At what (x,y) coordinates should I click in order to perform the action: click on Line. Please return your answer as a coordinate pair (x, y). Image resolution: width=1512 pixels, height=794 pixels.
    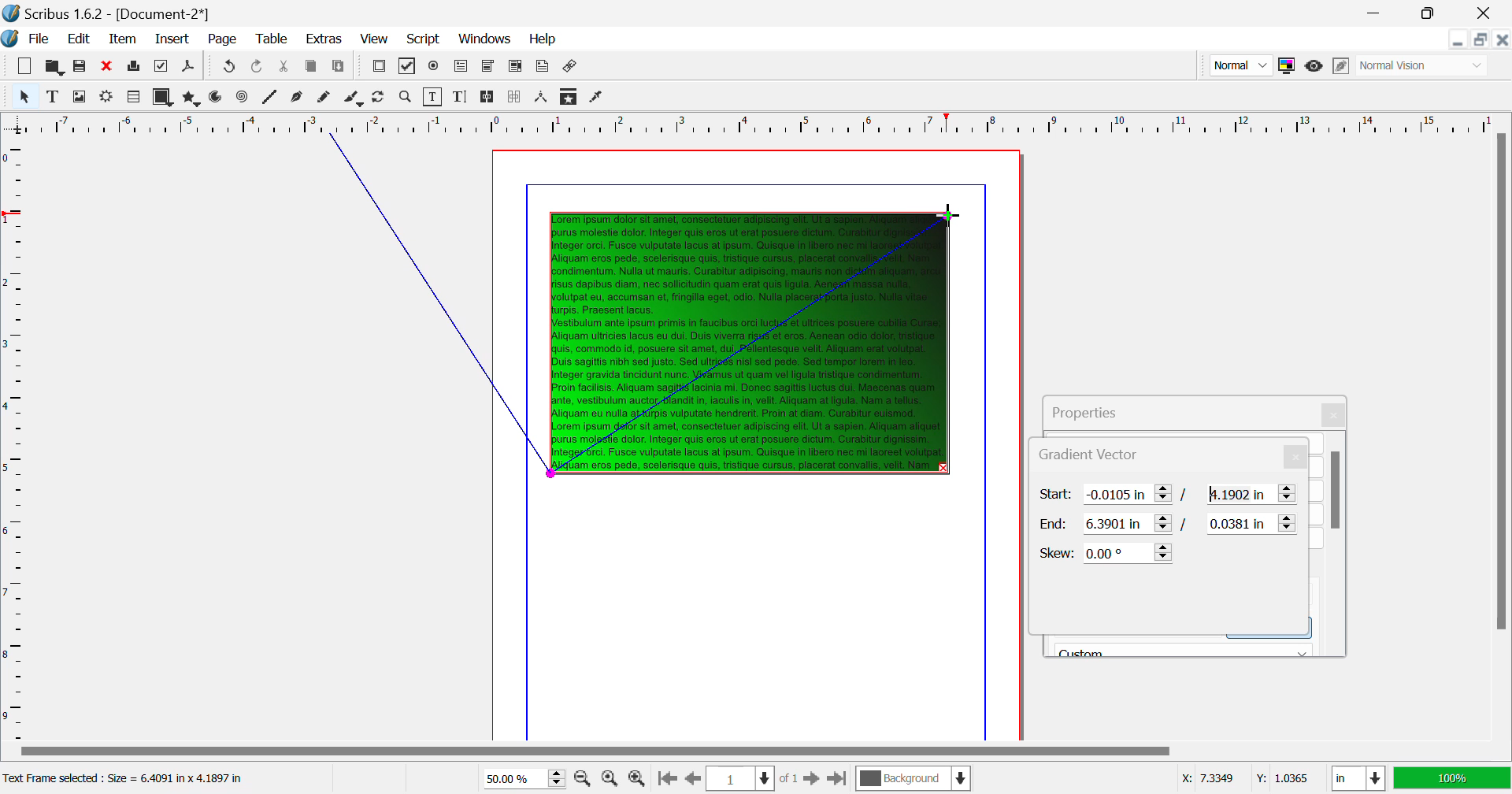
    Looking at the image, I should click on (270, 98).